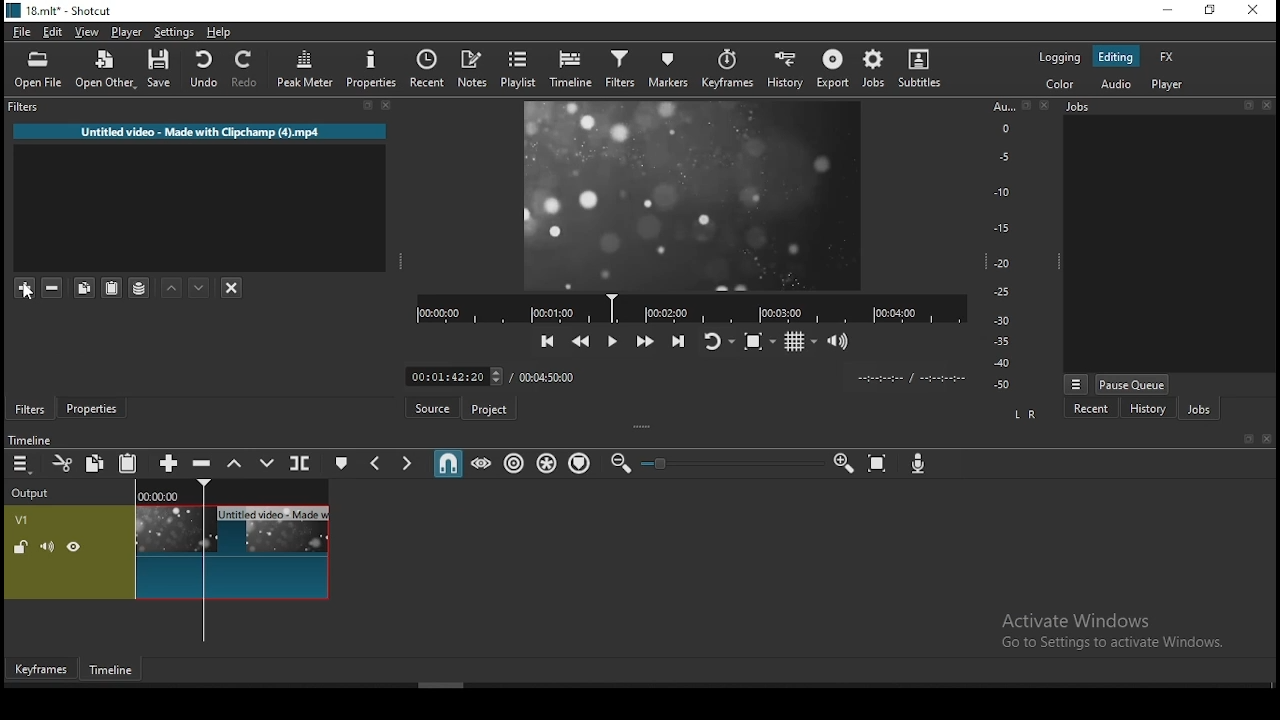 The height and width of the screenshot is (720, 1280). What do you see at coordinates (22, 462) in the screenshot?
I see `timeline settings` at bounding box center [22, 462].